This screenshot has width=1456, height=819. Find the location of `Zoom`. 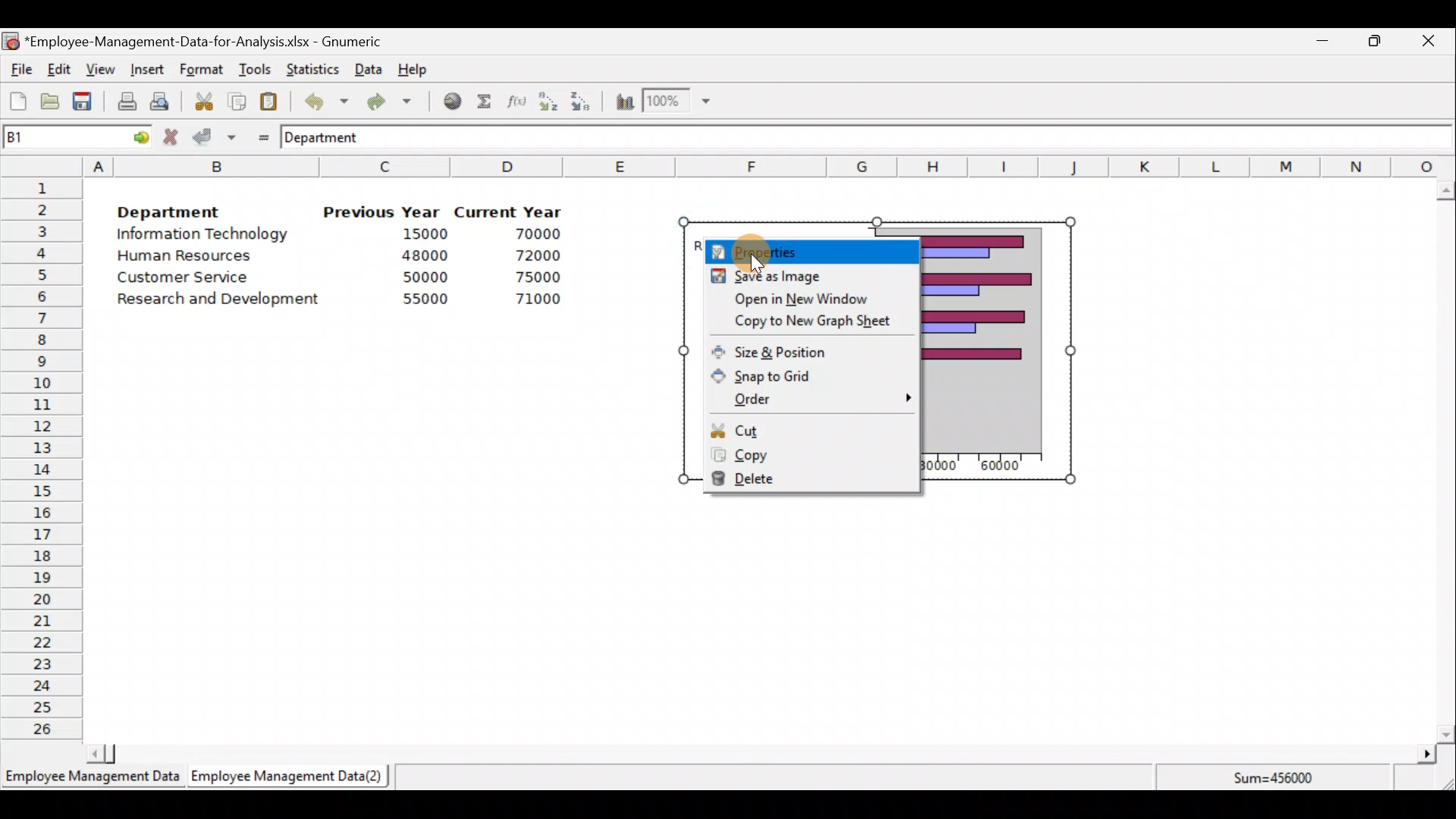

Zoom is located at coordinates (678, 101).